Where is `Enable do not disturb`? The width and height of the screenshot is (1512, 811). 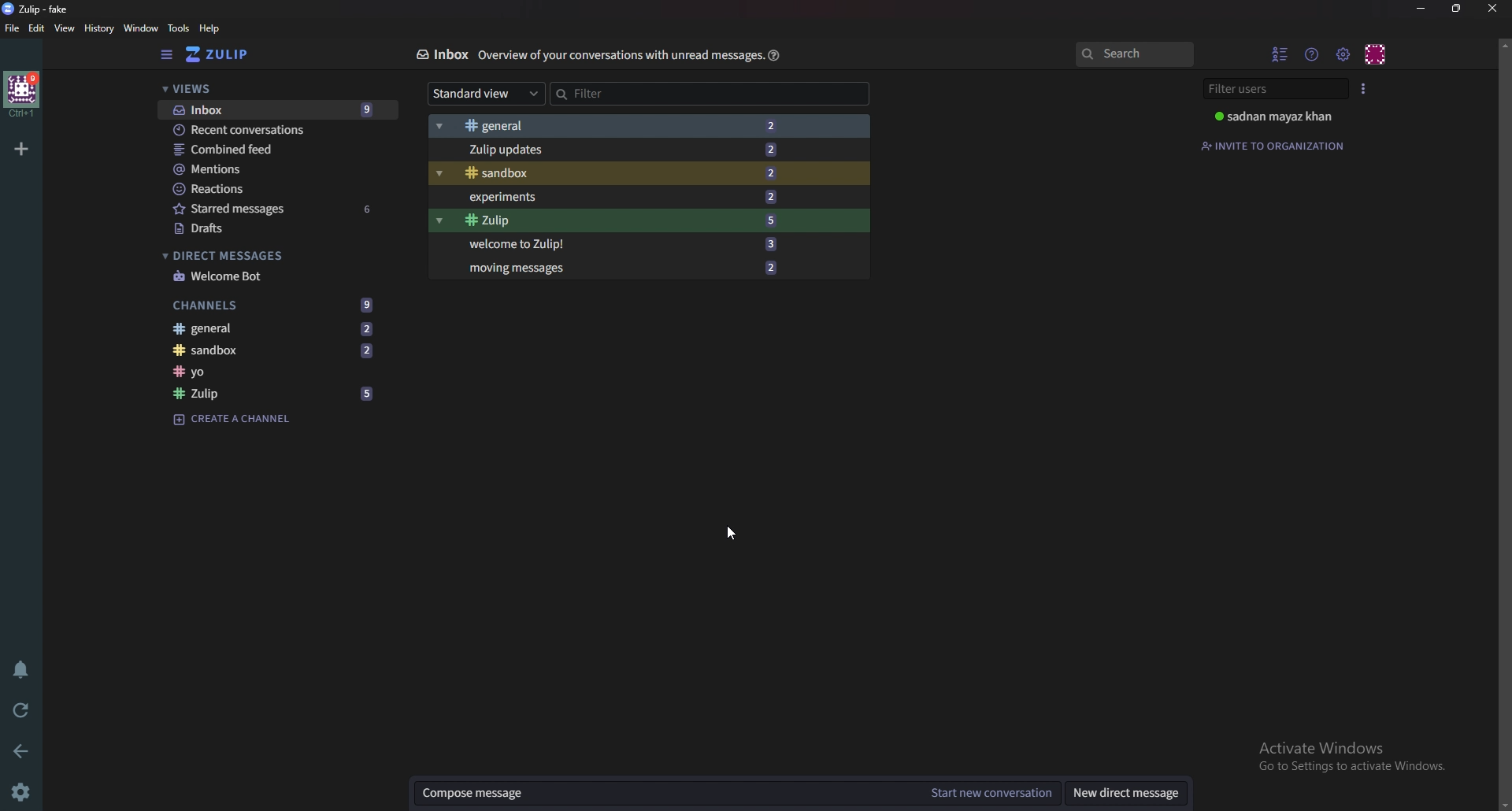 Enable do not disturb is located at coordinates (22, 670).